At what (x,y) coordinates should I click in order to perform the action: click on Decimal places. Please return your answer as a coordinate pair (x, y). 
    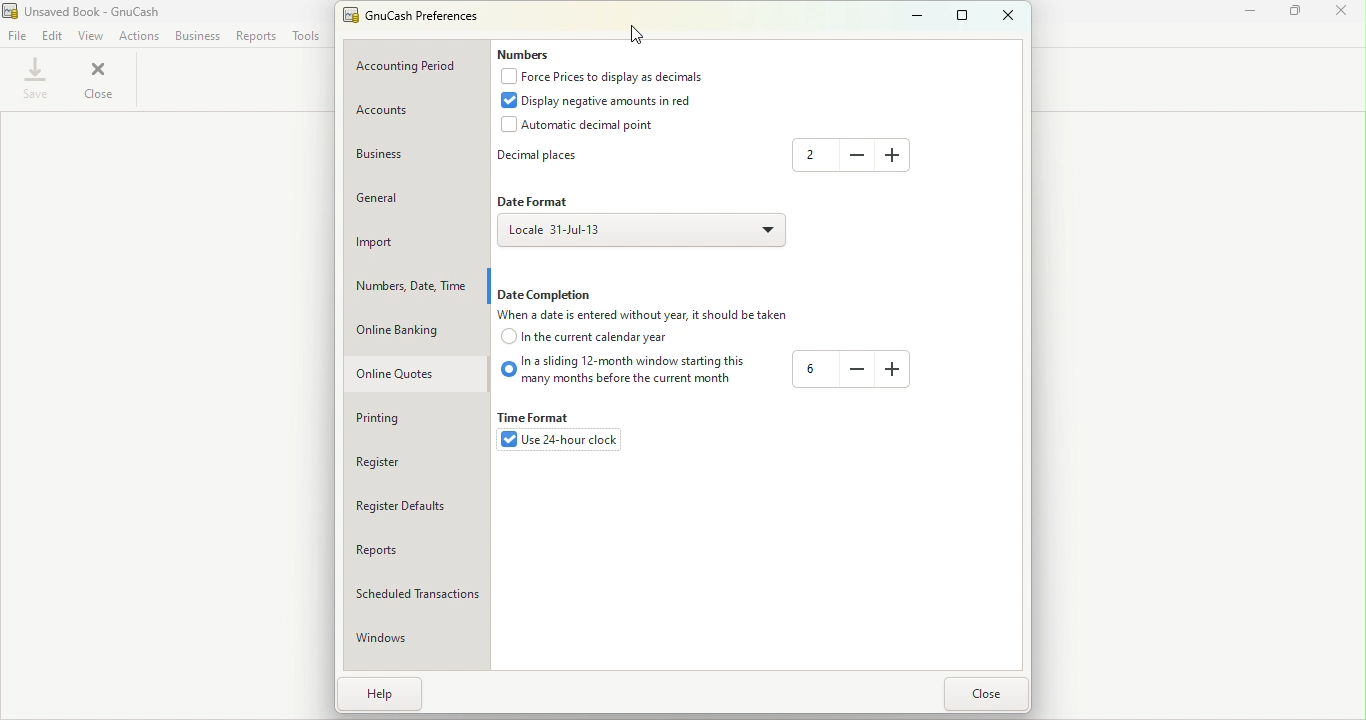
    Looking at the image, I should click on (536, 157).